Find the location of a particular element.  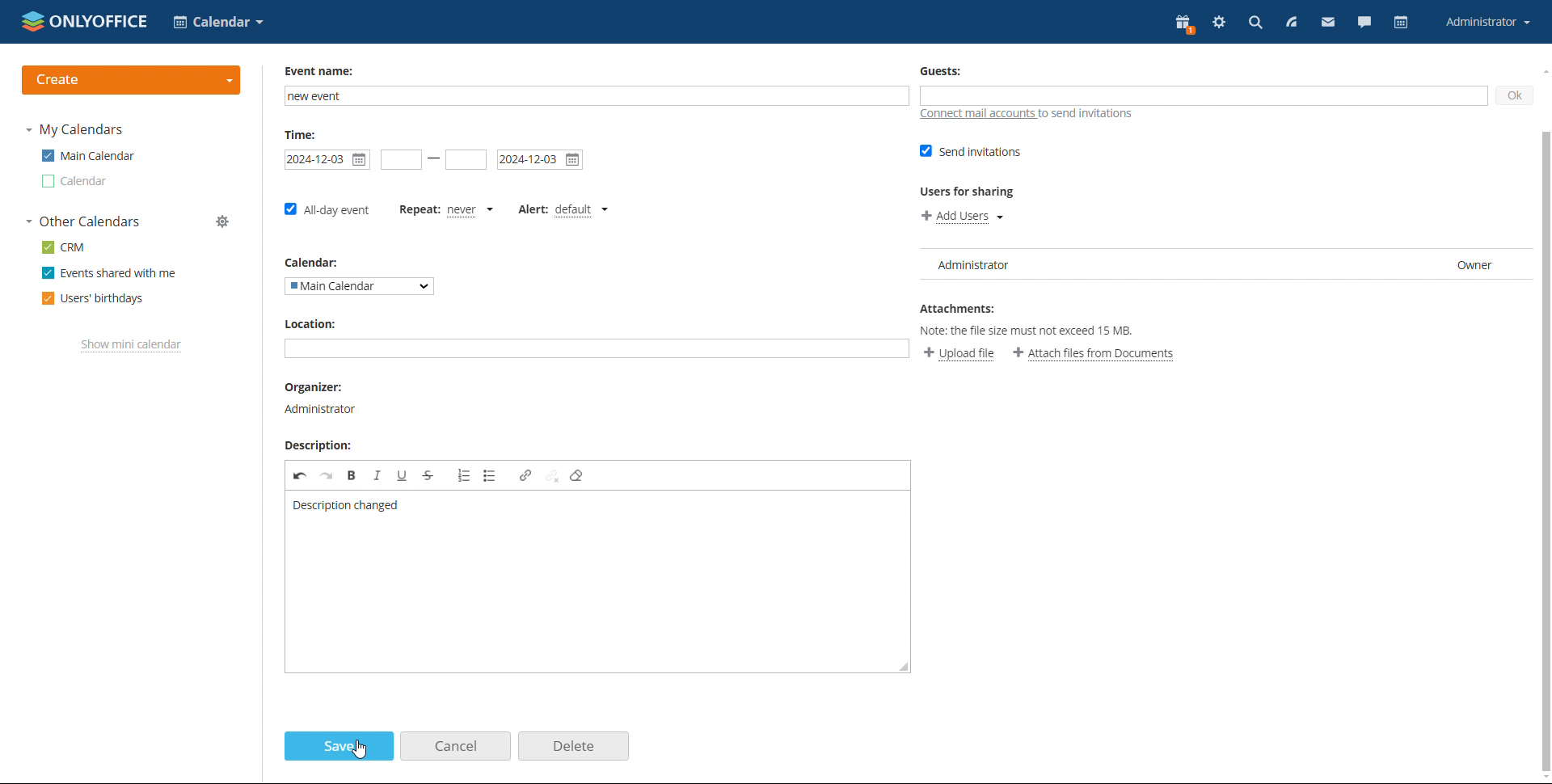

never is located at coordinates (471, 210).